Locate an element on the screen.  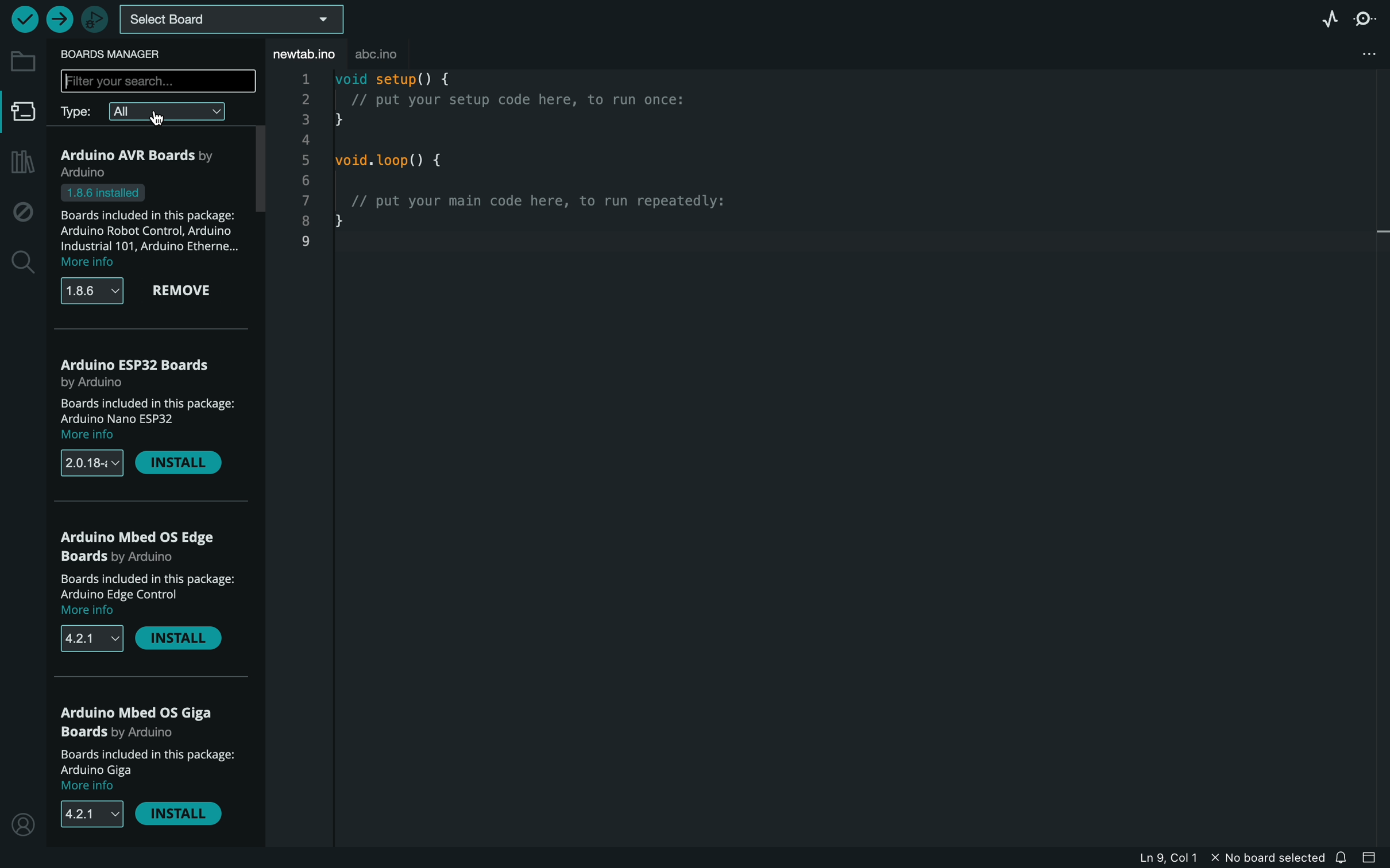
search bar is located at coordinates (157, 80).